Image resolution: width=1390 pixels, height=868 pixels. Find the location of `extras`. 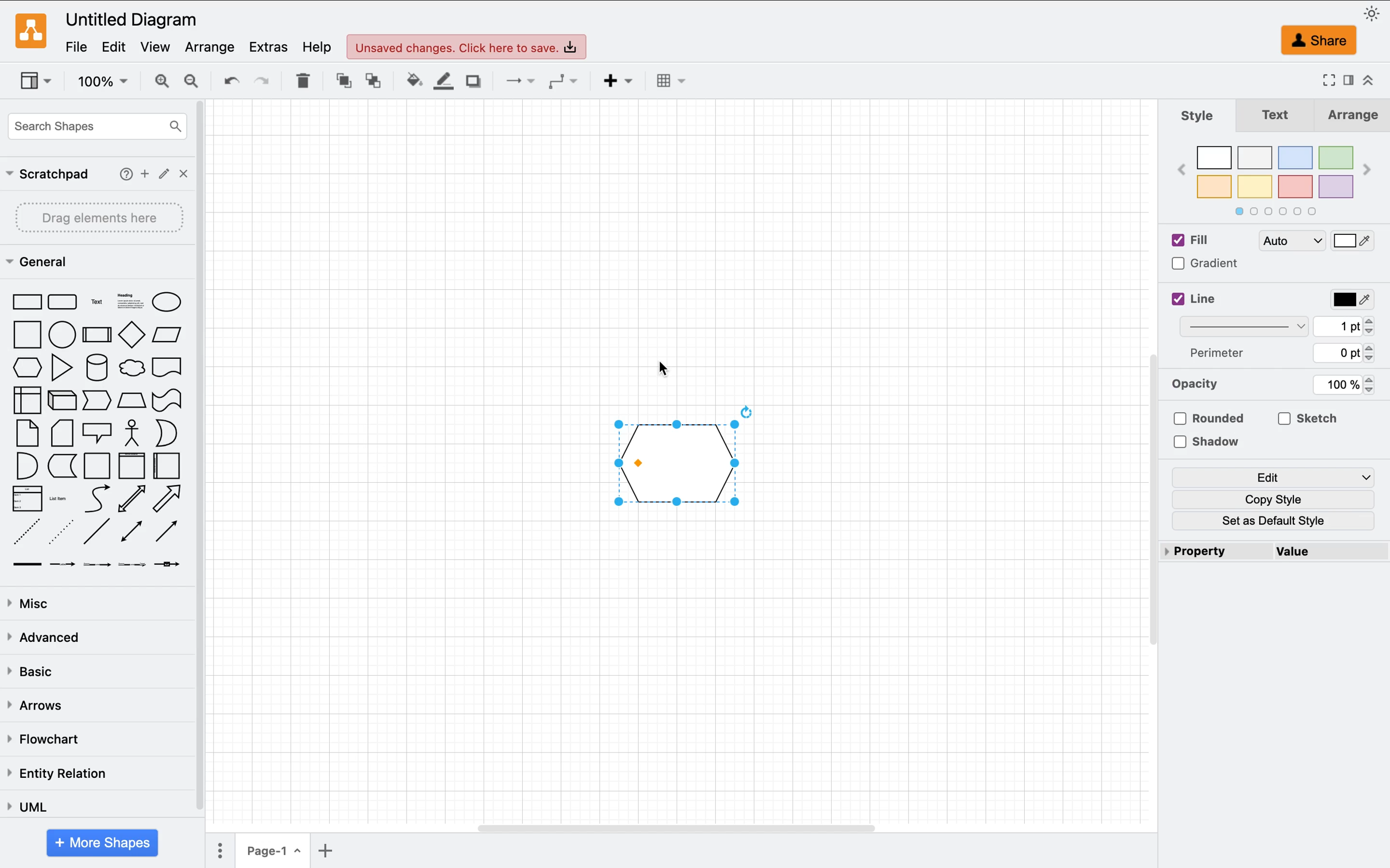

extras is located at coordinates (267, 45).